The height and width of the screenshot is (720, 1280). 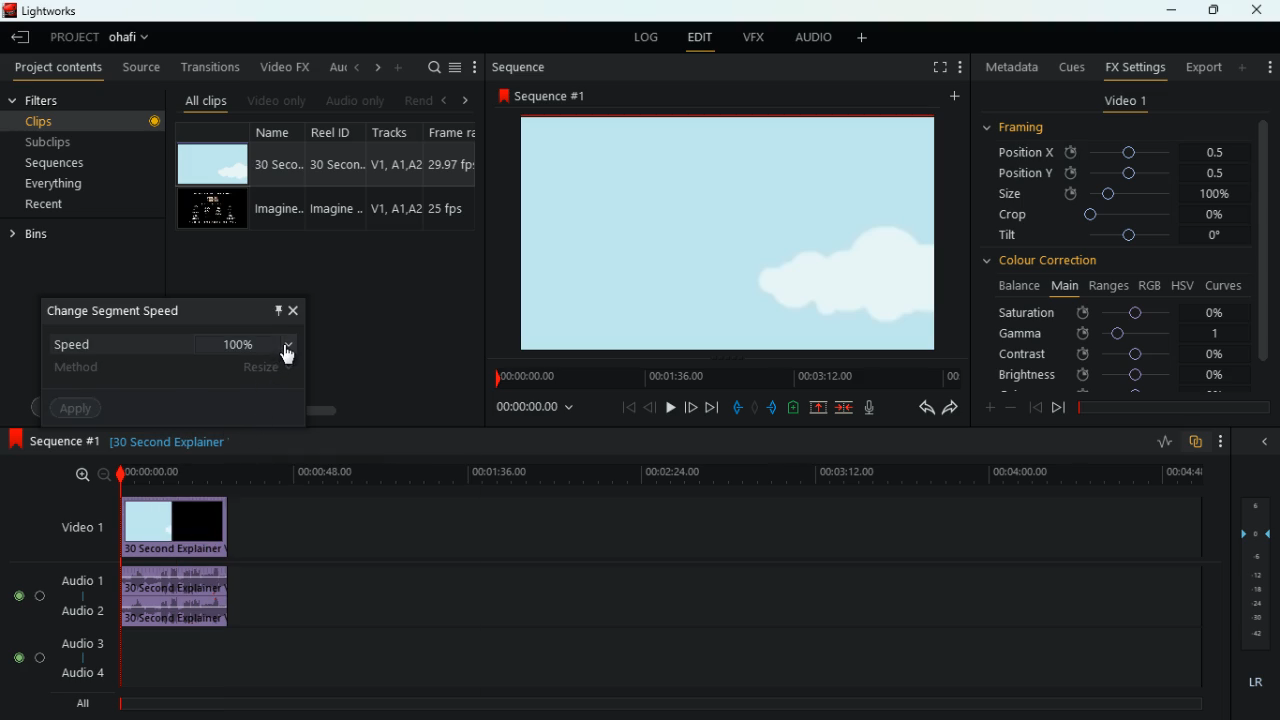 What do you see at coordinates (1151, 284) in the screenshot?
I see `rgb` at bounding box center [1151, 284].